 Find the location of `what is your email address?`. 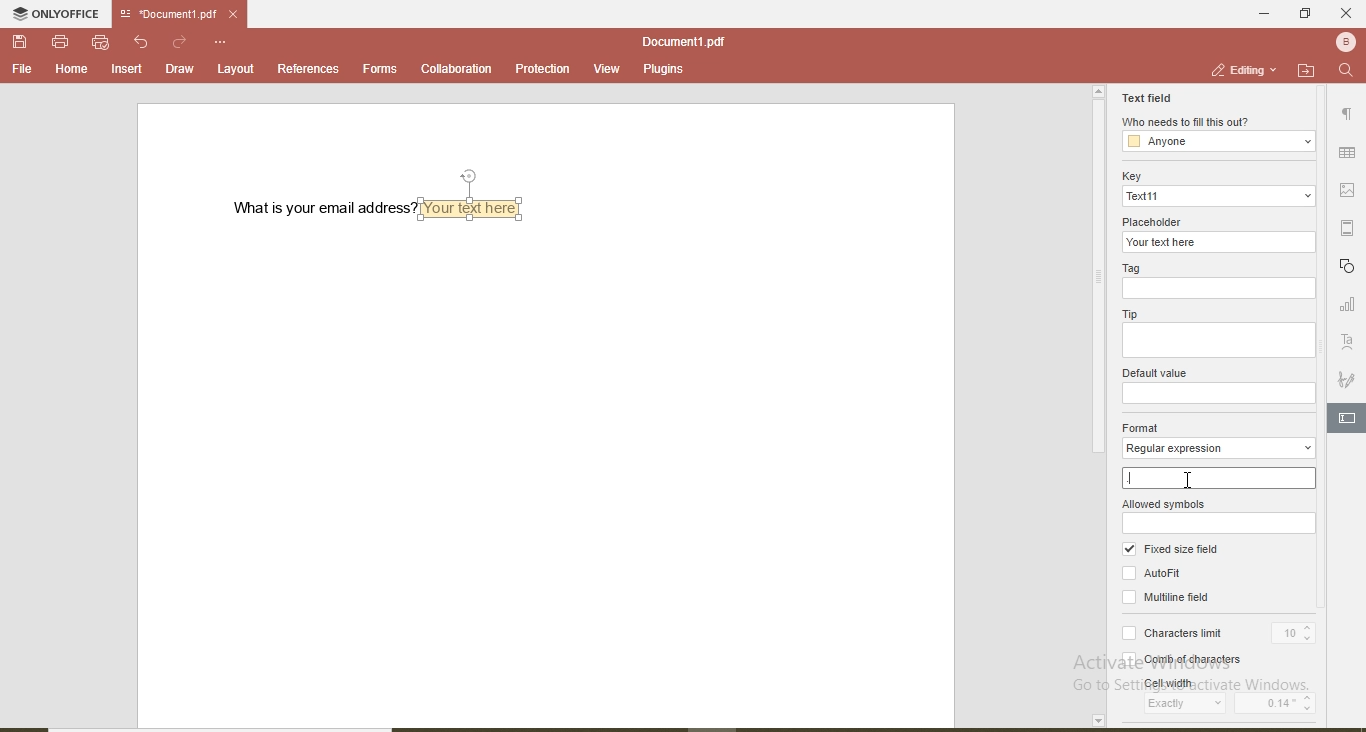

what is your email address? is located at coordinates (316, 208).